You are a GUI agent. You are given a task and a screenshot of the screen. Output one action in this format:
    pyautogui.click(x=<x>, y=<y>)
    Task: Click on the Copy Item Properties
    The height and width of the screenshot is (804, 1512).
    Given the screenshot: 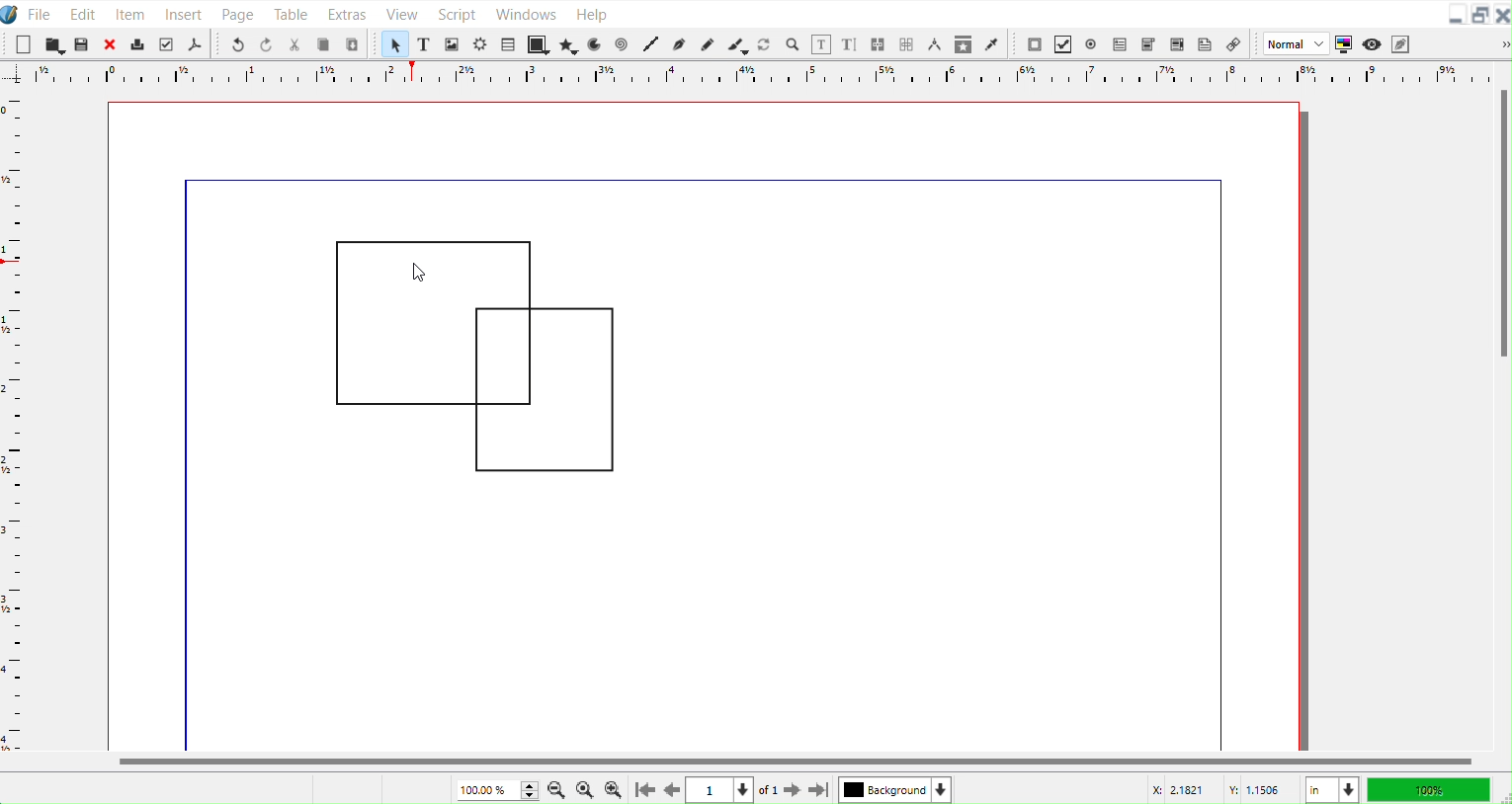 What is the action you would take?
    pyautogui.click(x=966, y=43)
    